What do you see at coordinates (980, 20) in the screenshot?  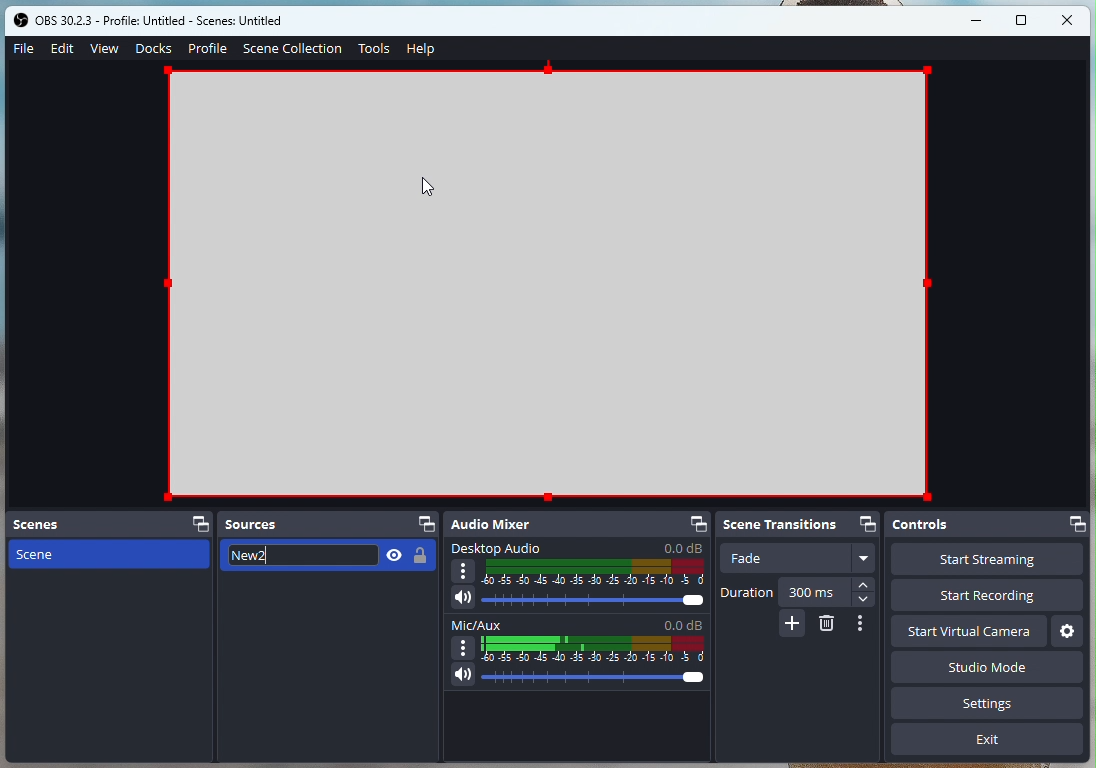 I see `minimise` at bounding box center [980, 20].